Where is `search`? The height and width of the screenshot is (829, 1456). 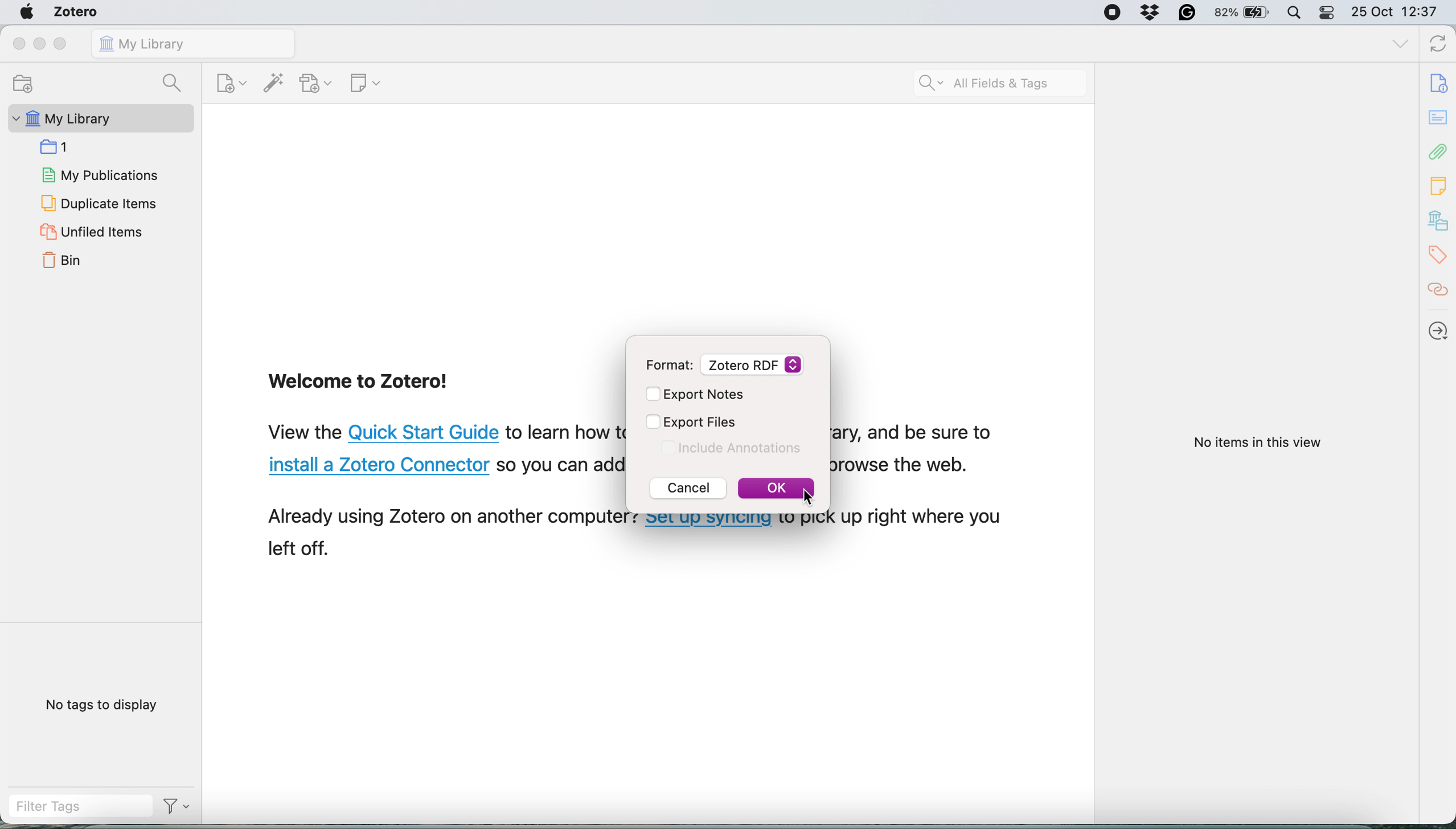
search is located at coordinates (171, 82).